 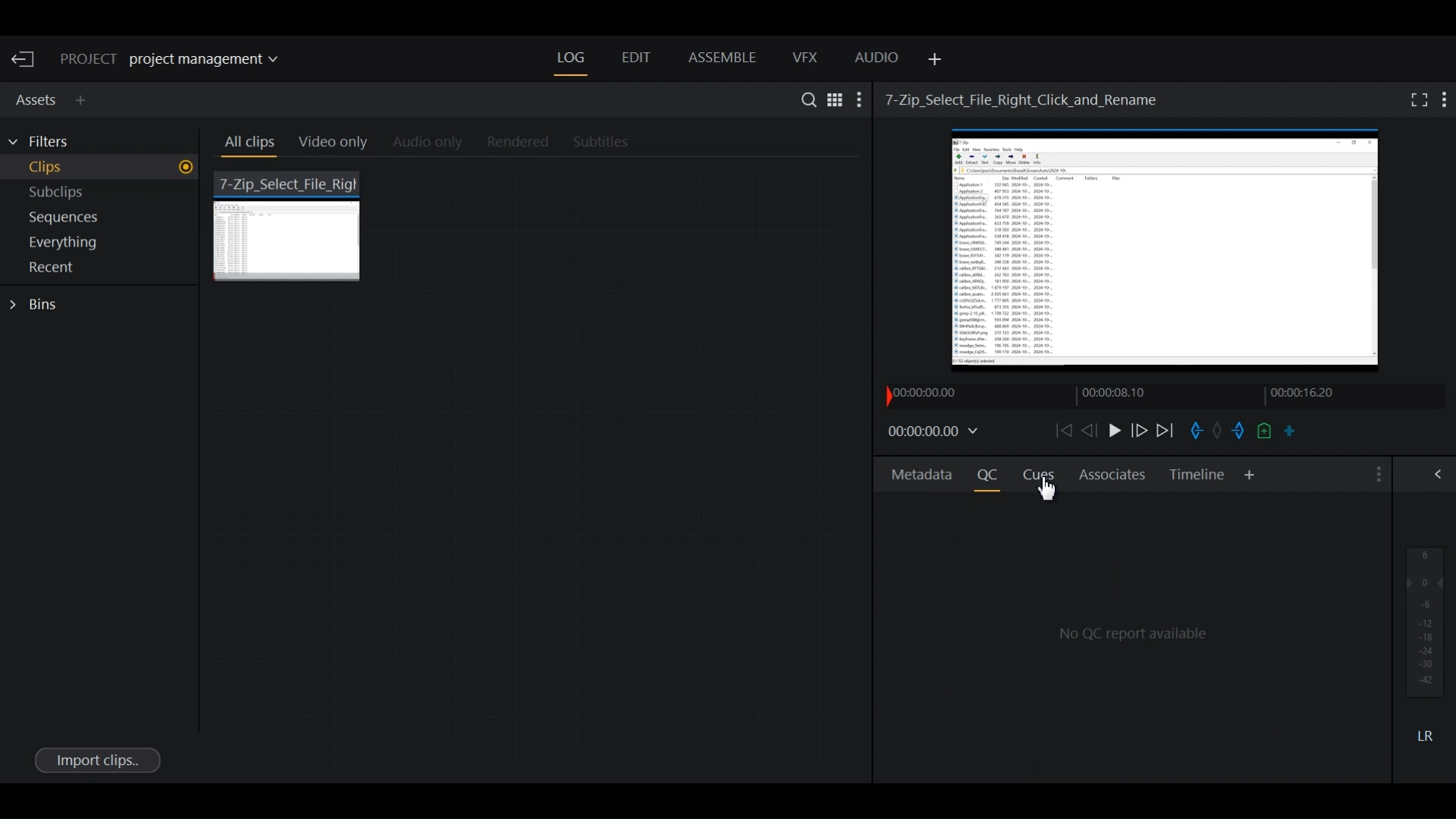 What do you see at coordinates (1168, 254) in the screenshot?
I see `Media Viewer` at bounding box center [1168, 254].